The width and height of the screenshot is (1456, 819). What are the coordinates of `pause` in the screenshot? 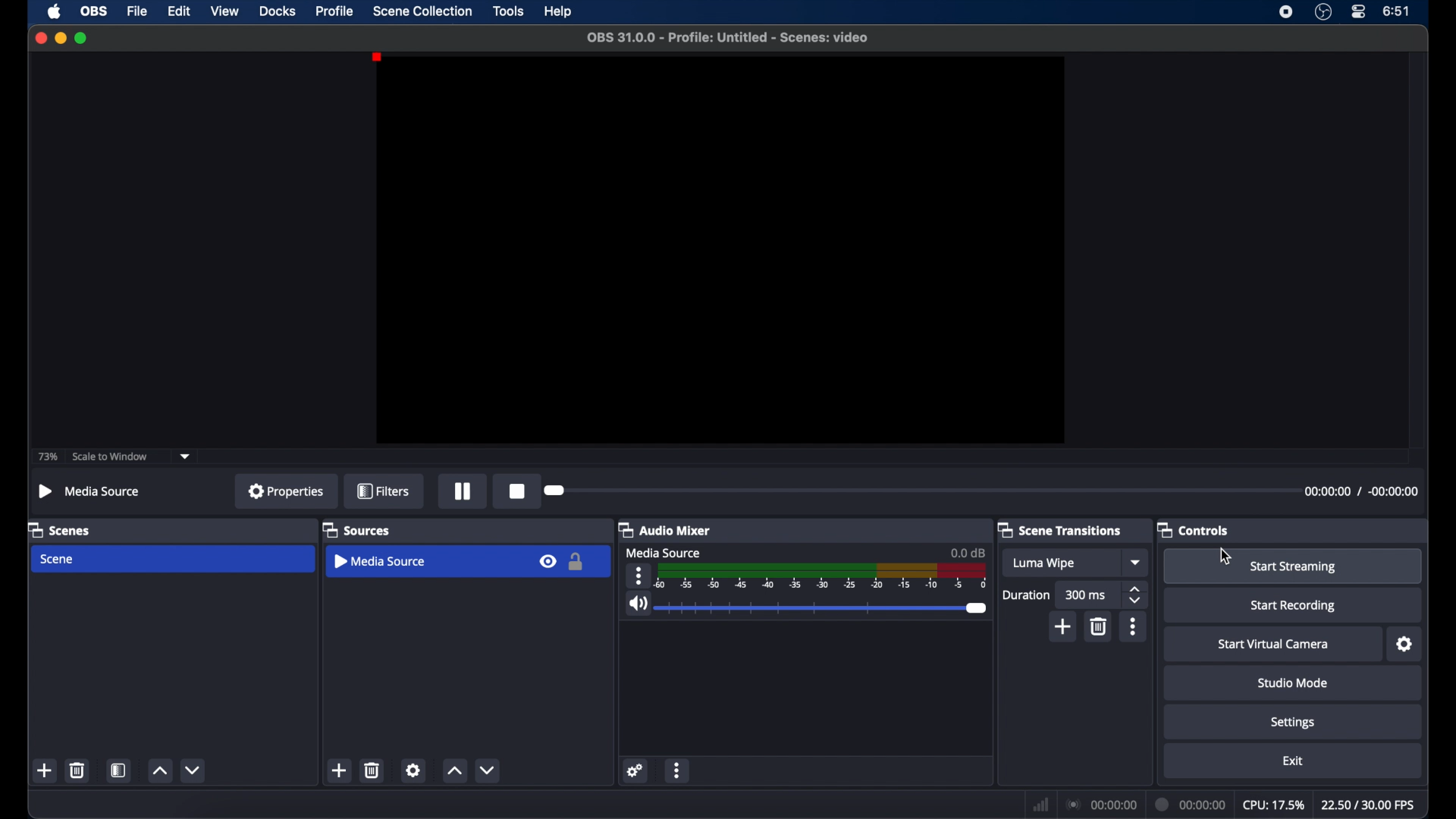 It's located at (463, 492).